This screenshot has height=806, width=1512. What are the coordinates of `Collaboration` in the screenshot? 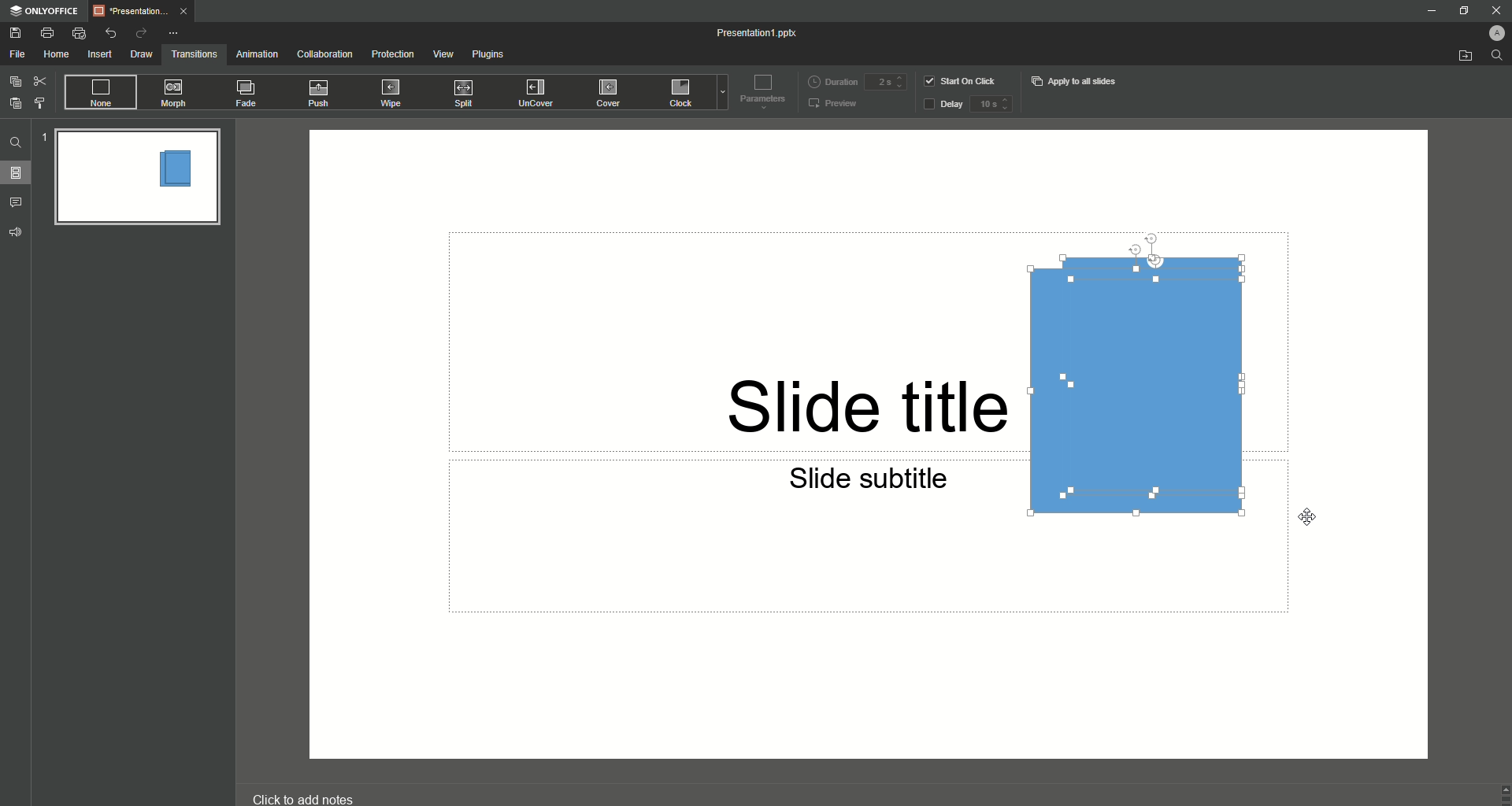 It's located at (325, 55).